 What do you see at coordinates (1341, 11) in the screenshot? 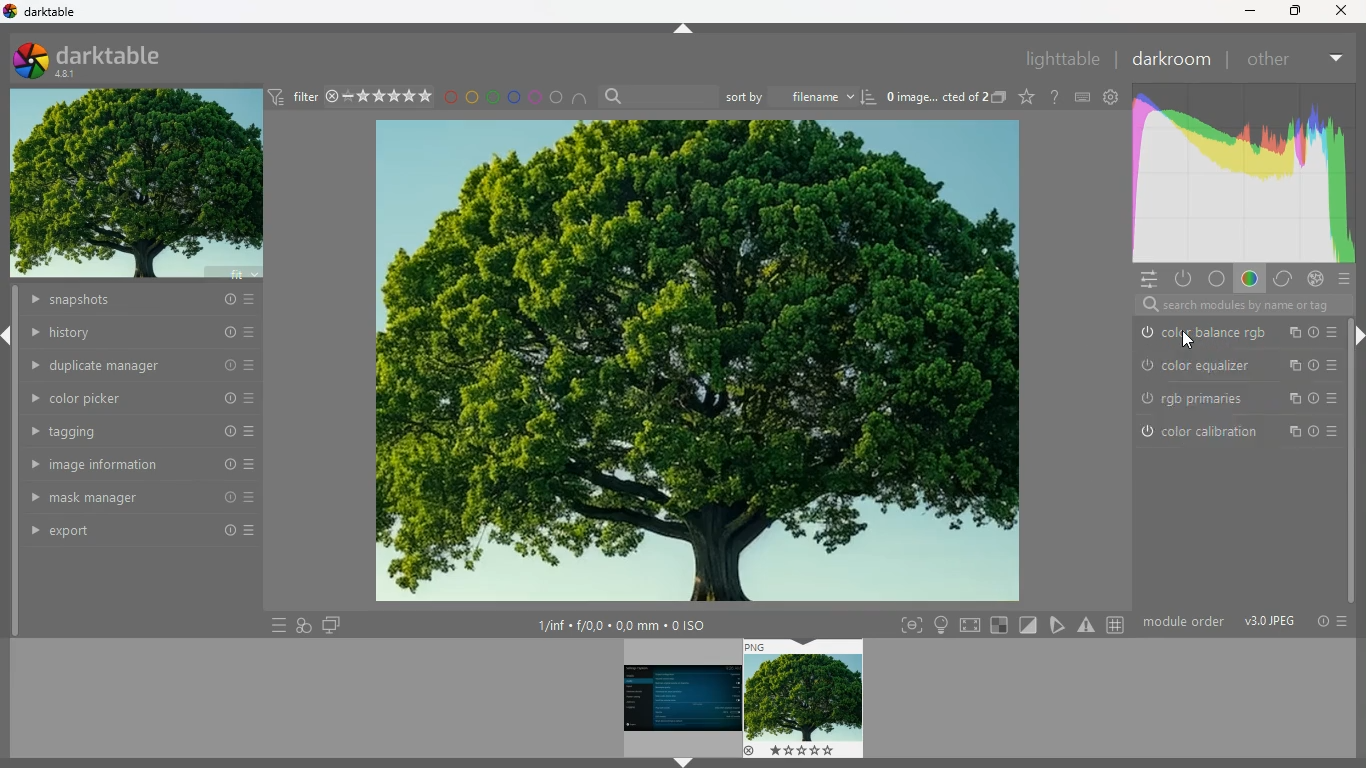
I see `` at bounding box center [1341, 11].